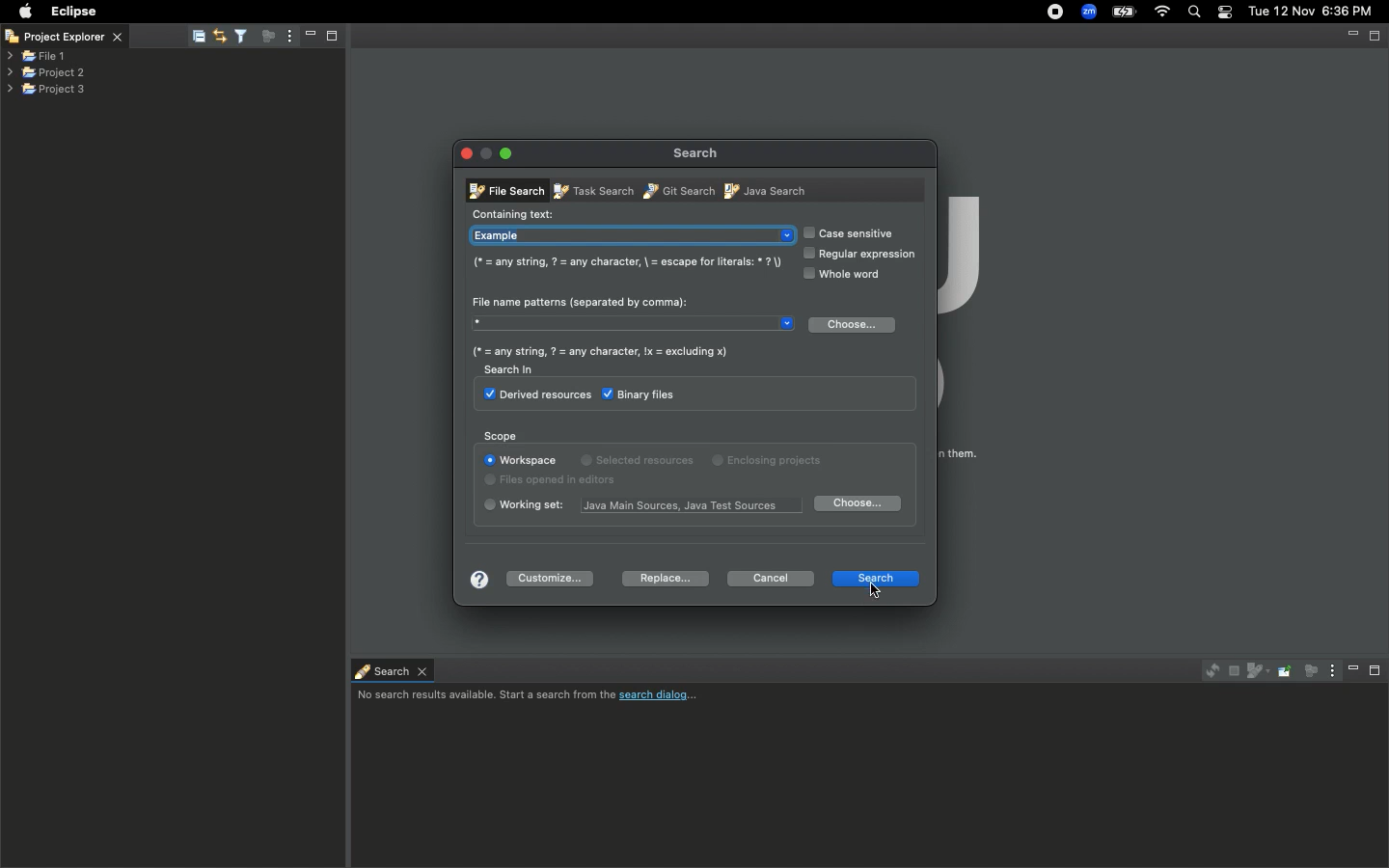 Image resolution: width=1389 pixels, height=868 pixels. What do you see at coordinates (632, 237) in the screenshot?
I see `Example` at bounding box center [632, 237].